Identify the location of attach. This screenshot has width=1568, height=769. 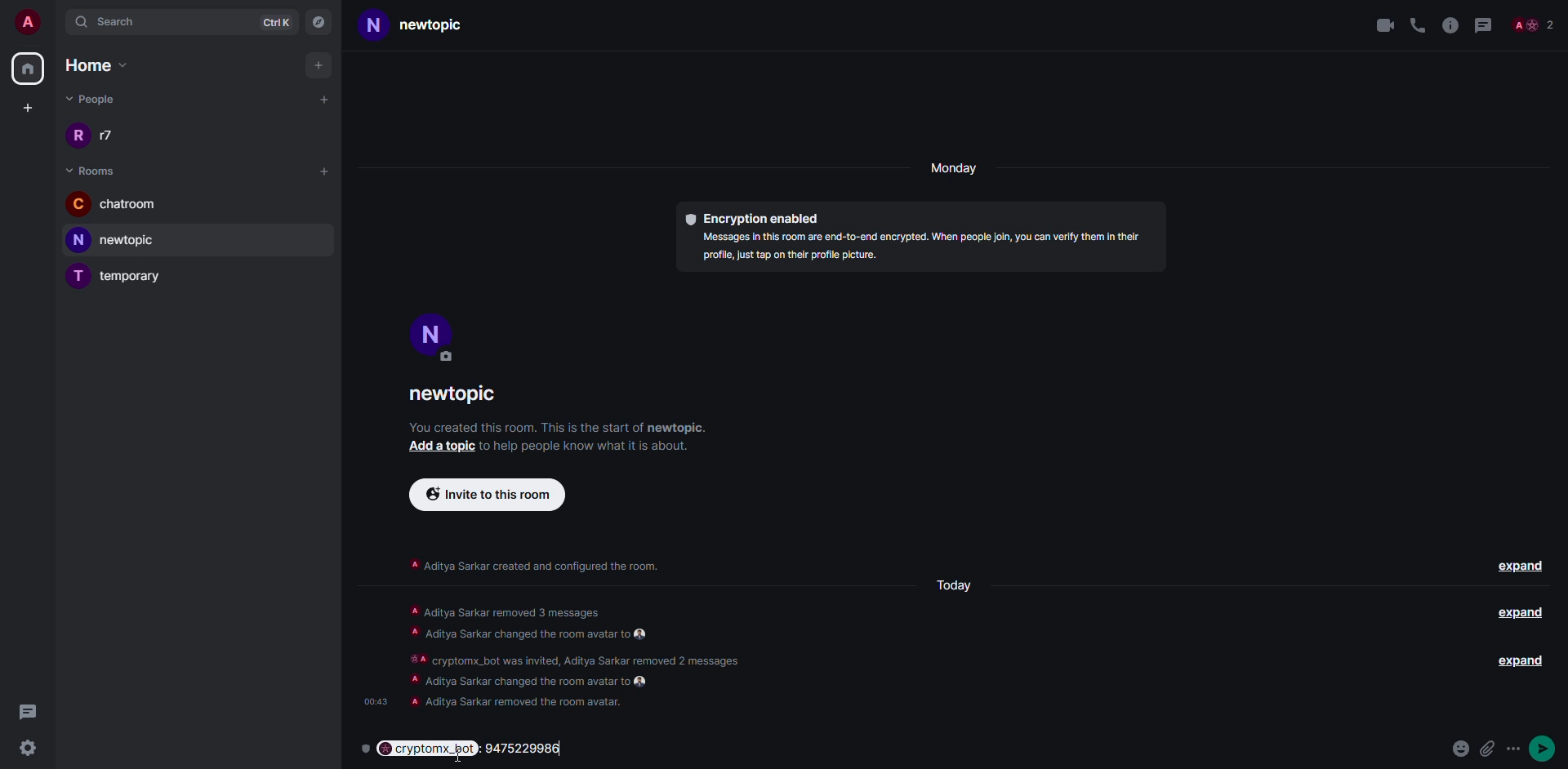
(1500, 749).